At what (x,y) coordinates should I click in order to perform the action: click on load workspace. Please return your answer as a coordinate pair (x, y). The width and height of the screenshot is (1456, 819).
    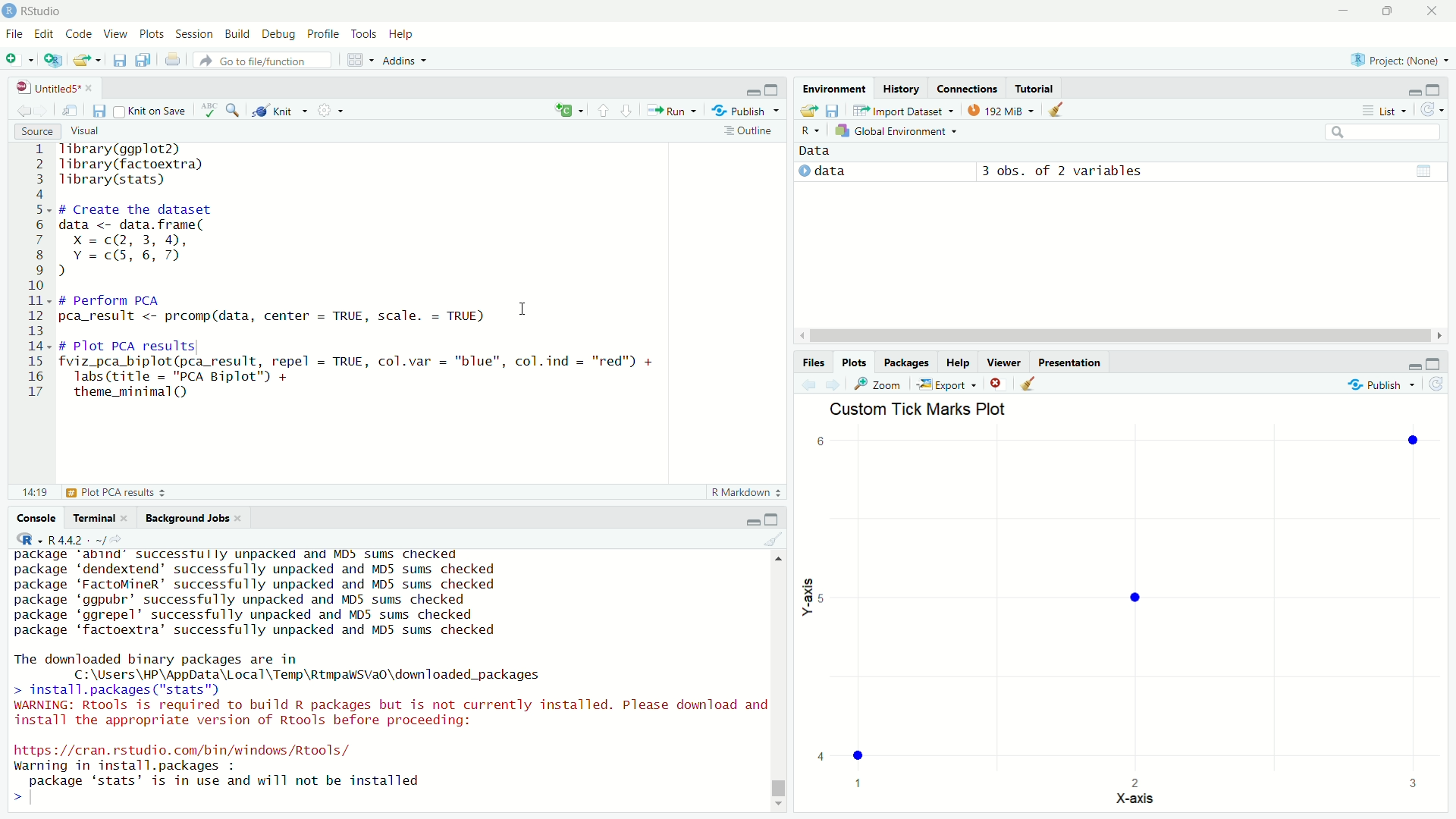
    Looking at the image, I should click on (810, 109).